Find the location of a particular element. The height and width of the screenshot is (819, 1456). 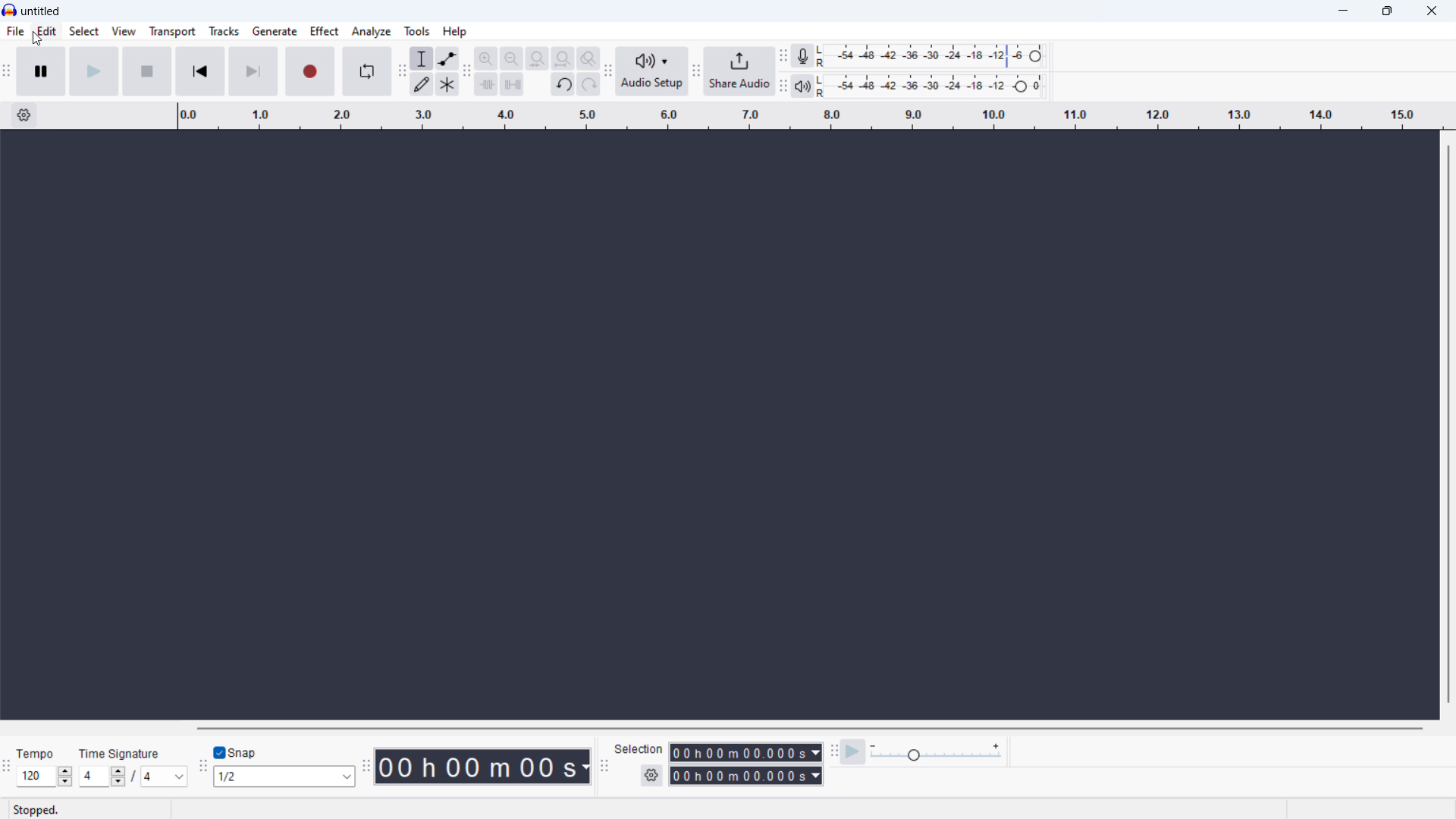

set time signature is located at coordinates (131, 777).